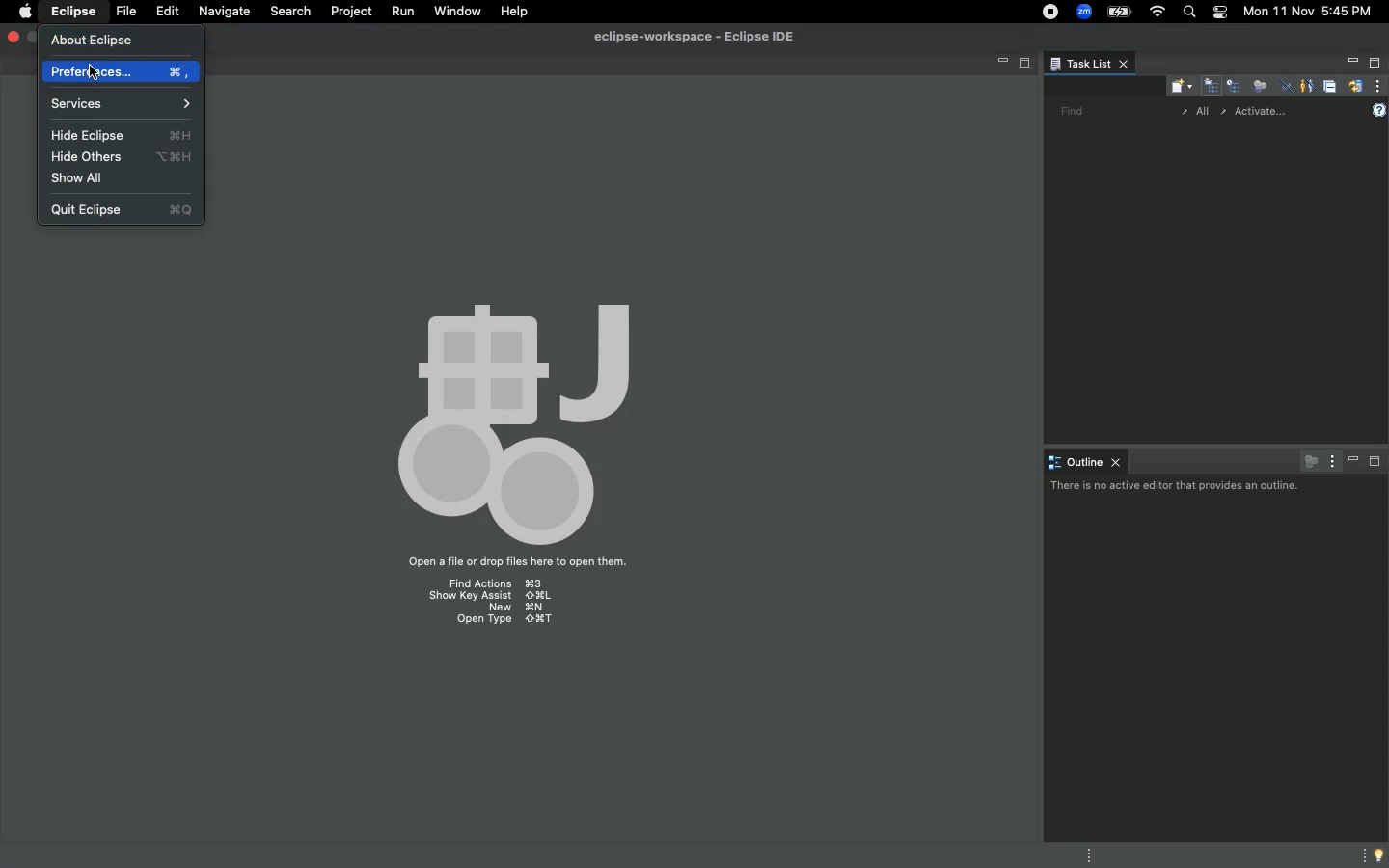  I want to click on Edit, so click(166, 11).